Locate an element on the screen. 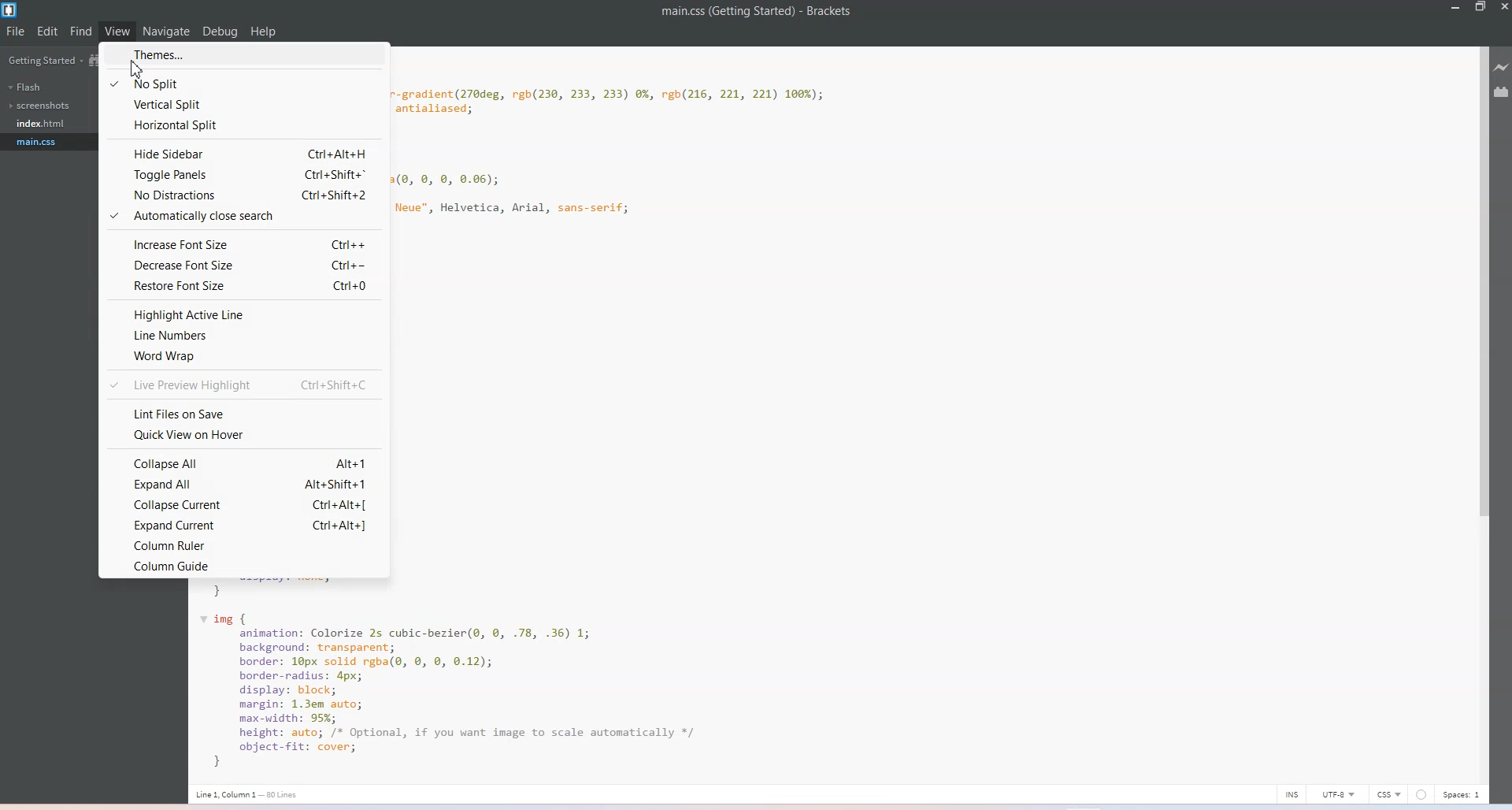 This screenshot has width=1512, height=810. Themes is located at coordinates (243, 54).